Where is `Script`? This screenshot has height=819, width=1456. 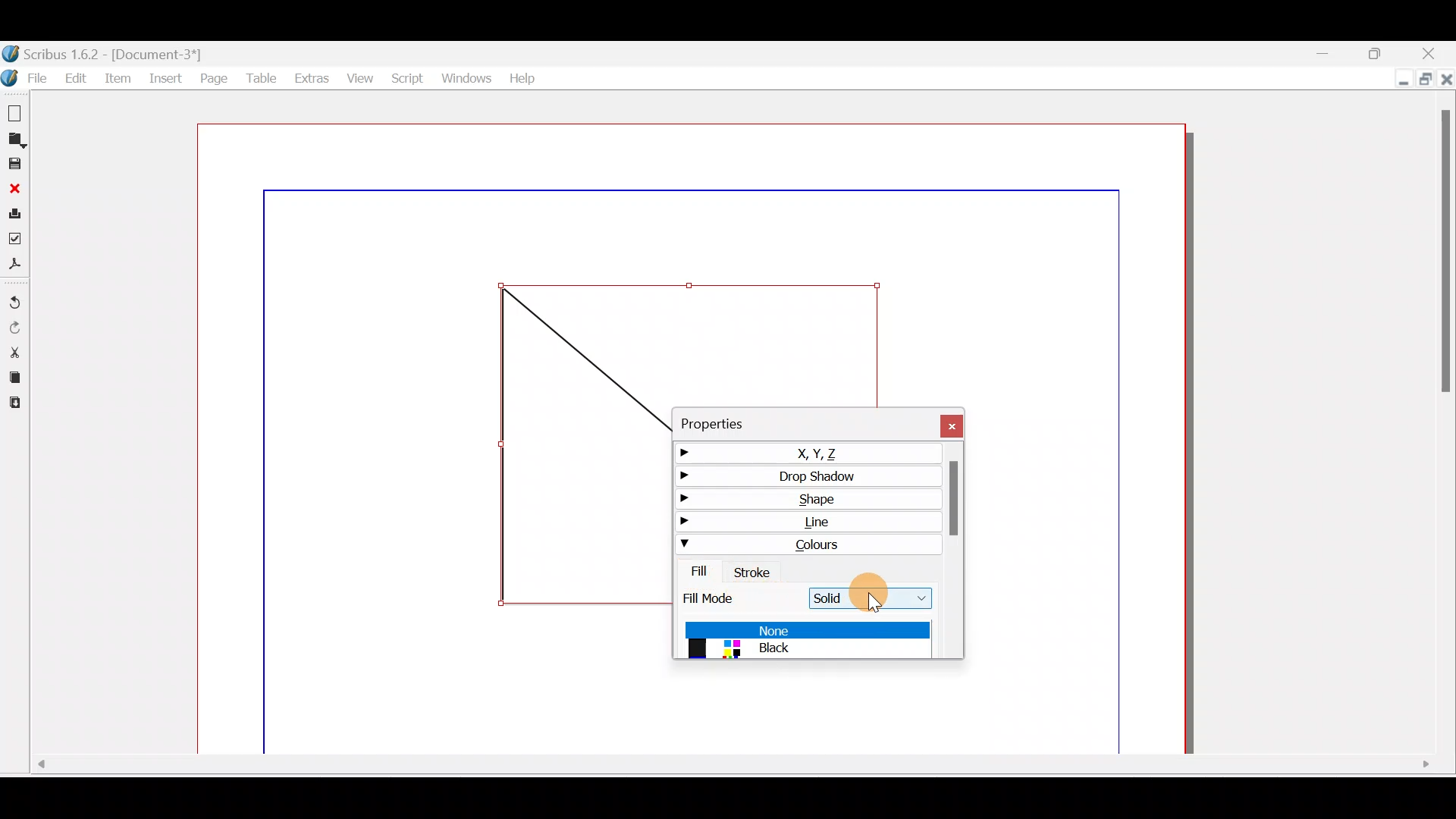
Script is located at coordinates (406, 78).